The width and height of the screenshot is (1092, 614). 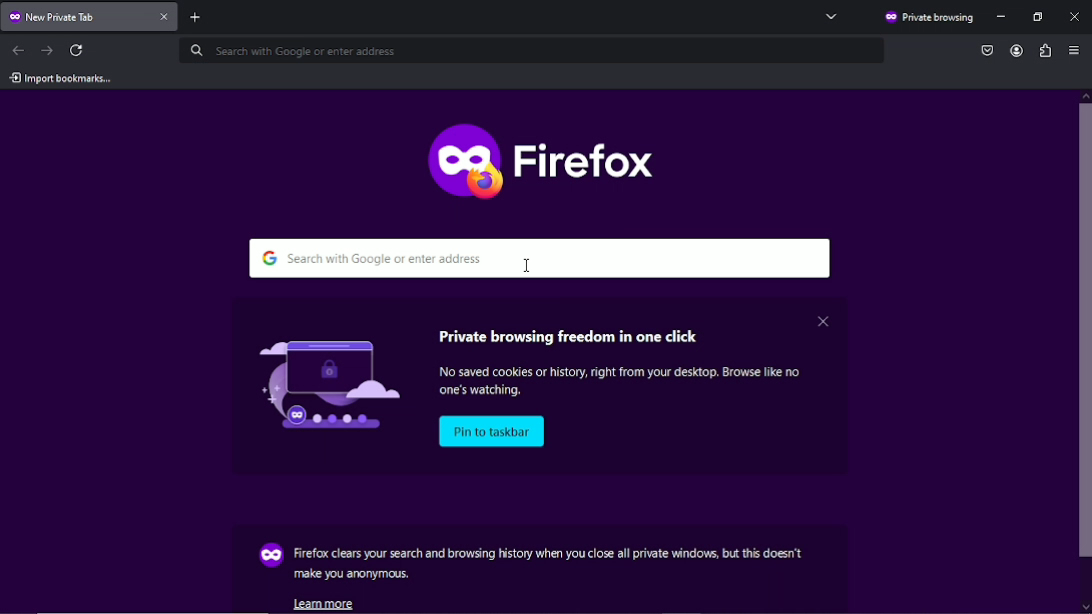 What do you see at coordinates (494, 432) in the screenshot?
I see `pin to taskbar` at bounding box center [494, 432].